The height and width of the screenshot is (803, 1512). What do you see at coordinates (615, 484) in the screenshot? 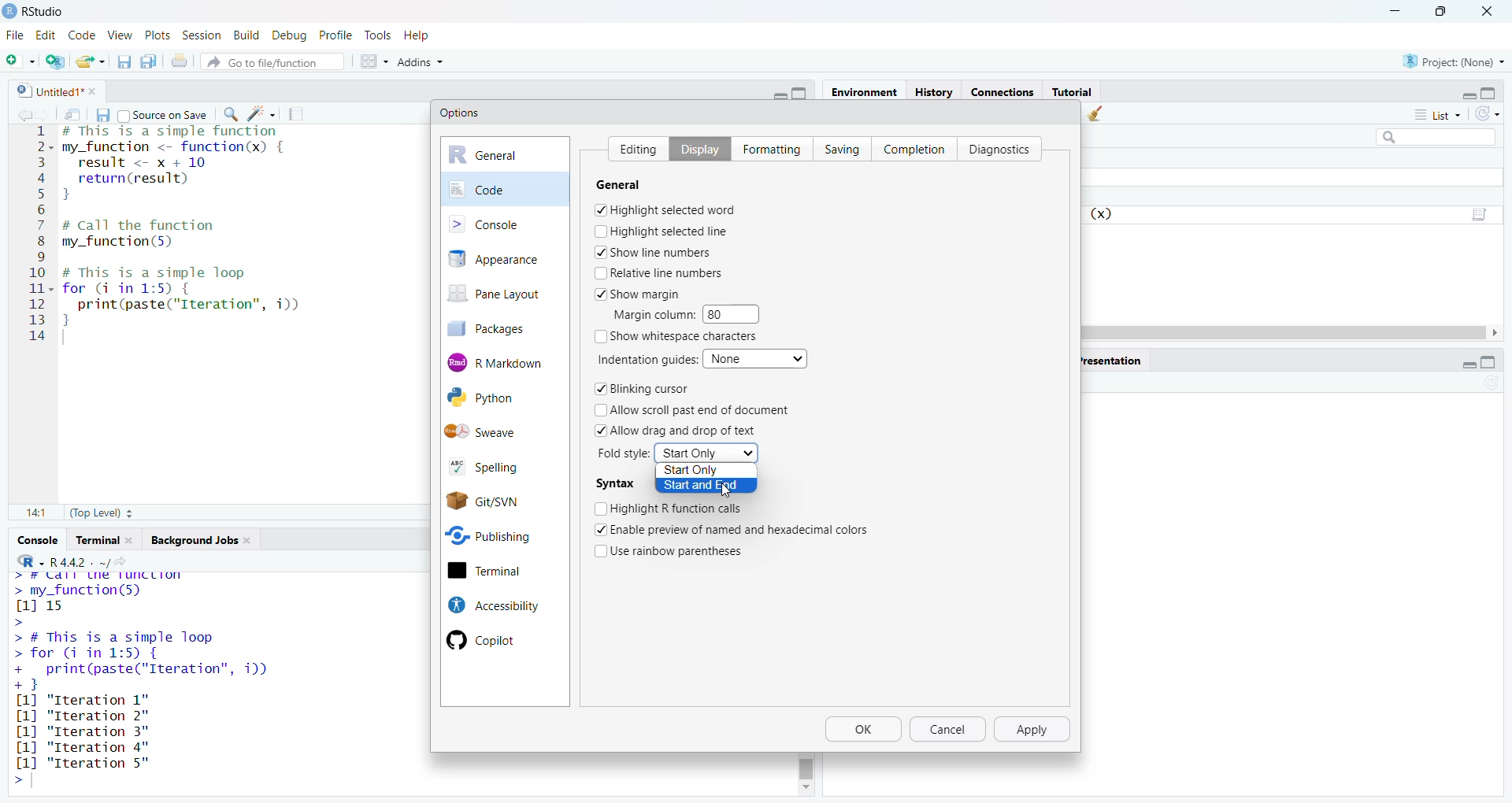
I see `syntax` at bounding box center [615, 484].